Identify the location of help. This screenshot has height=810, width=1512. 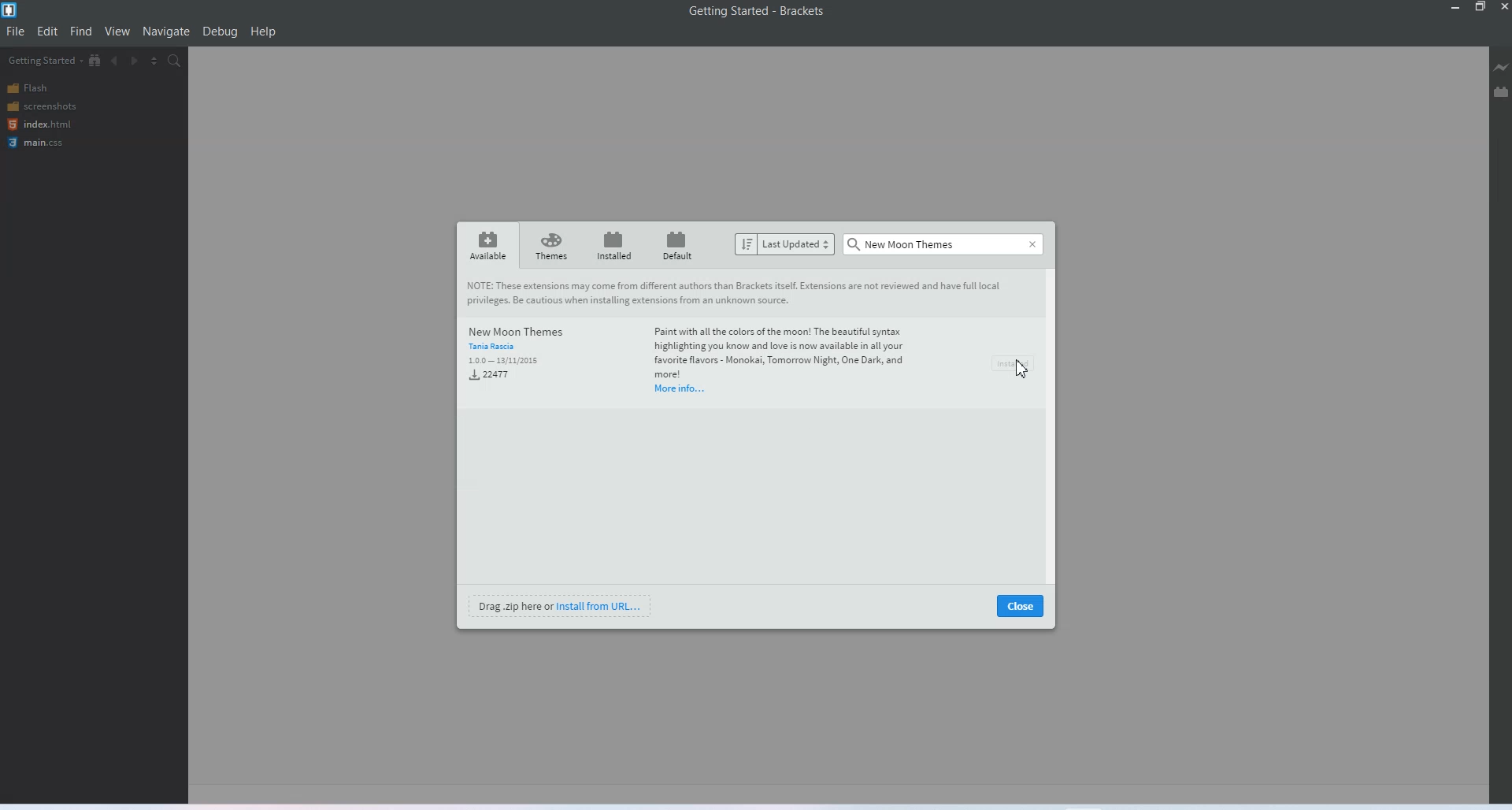
(264, 32).